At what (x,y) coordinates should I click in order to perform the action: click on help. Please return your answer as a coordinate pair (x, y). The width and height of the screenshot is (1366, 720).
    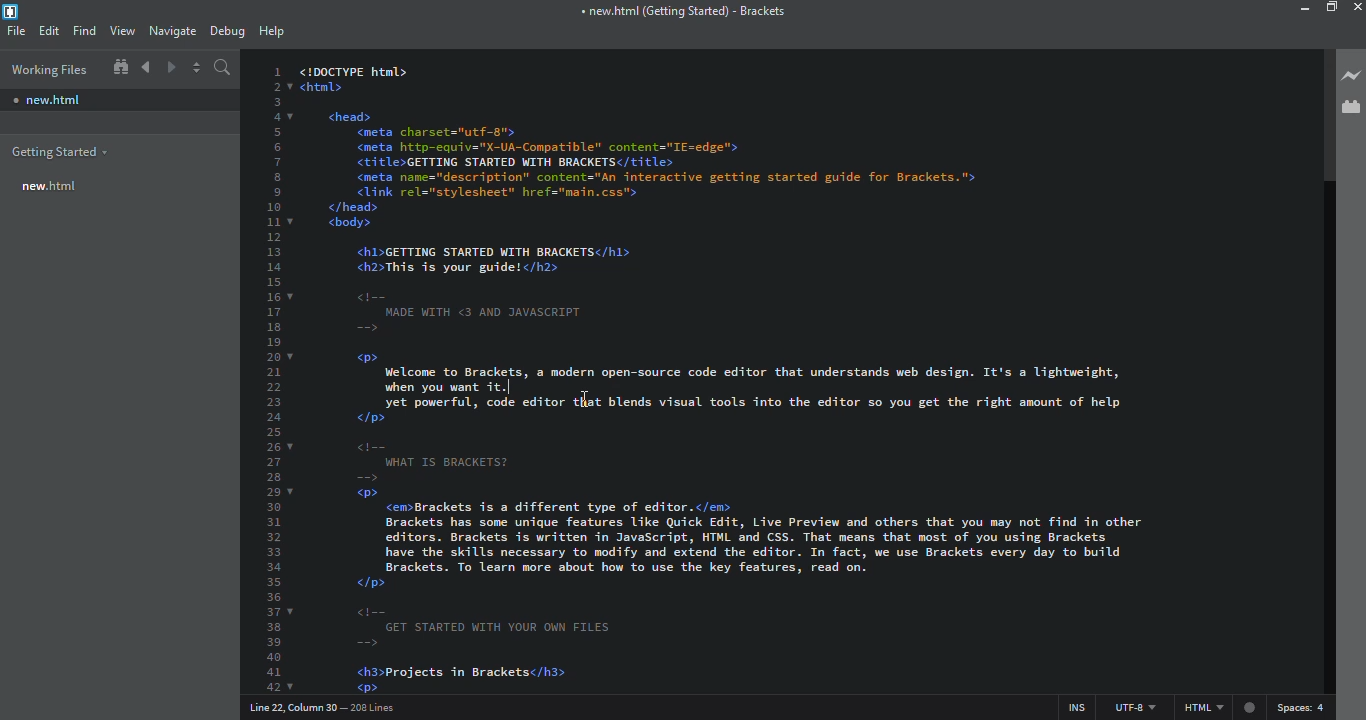
    Looking at the image, I should click on (270, 30).